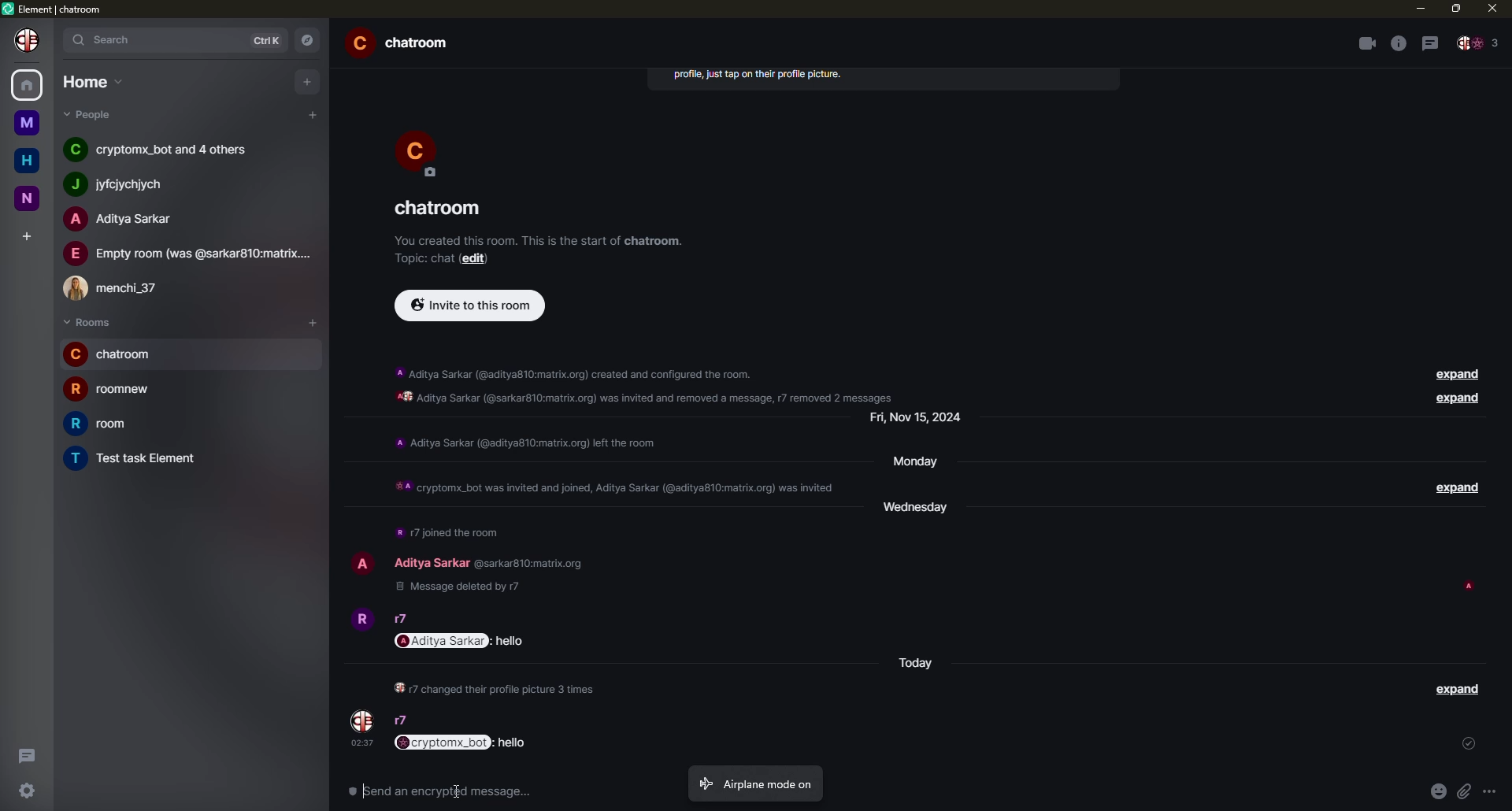 The image size is (1512, 811). What do you see at coordinates (921, 420) in the screenshot?
I see `day` at bounding box center [921, 420].